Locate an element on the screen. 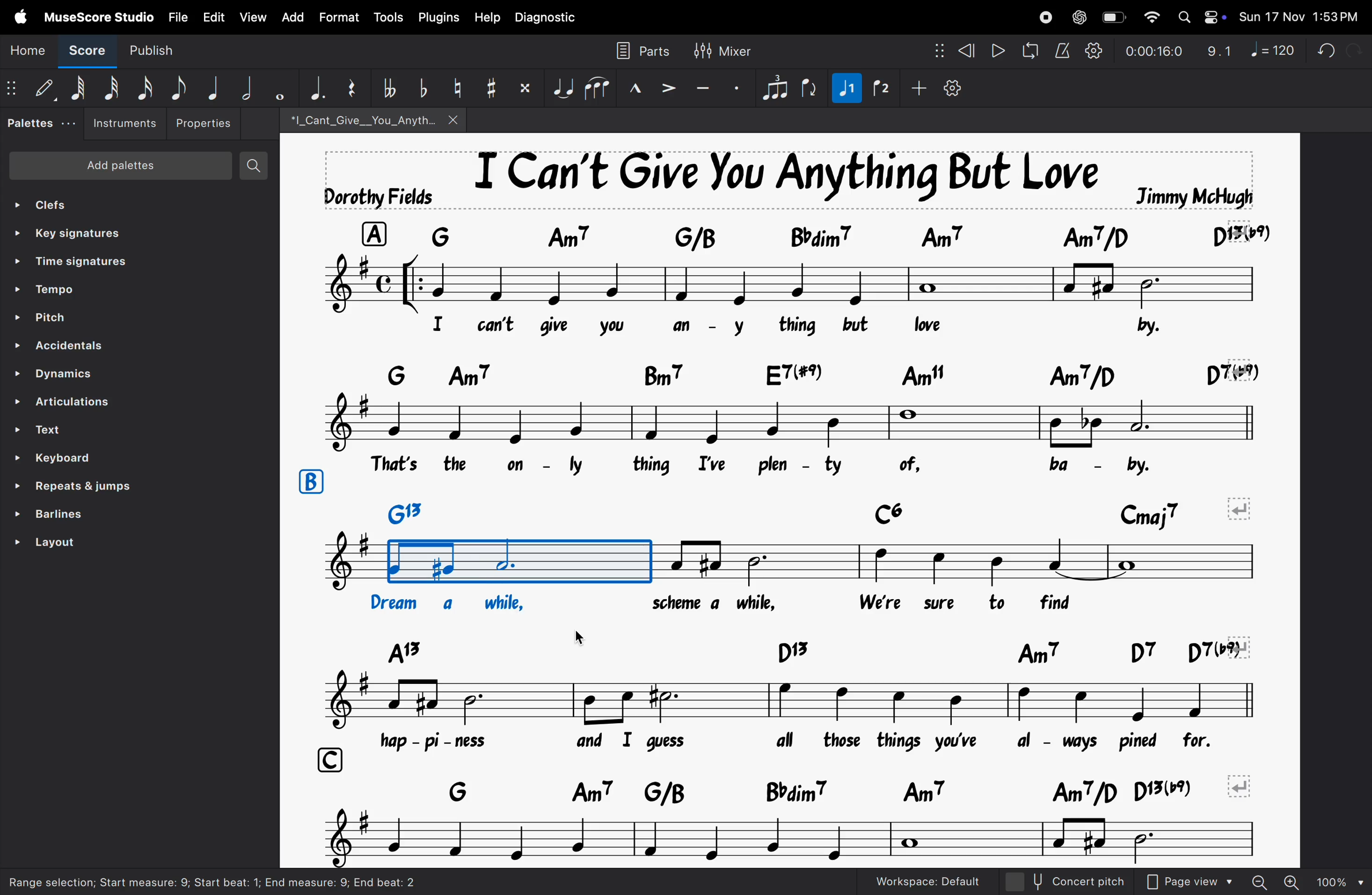  zoom out zoom in is located at coordinates (1299, 882).